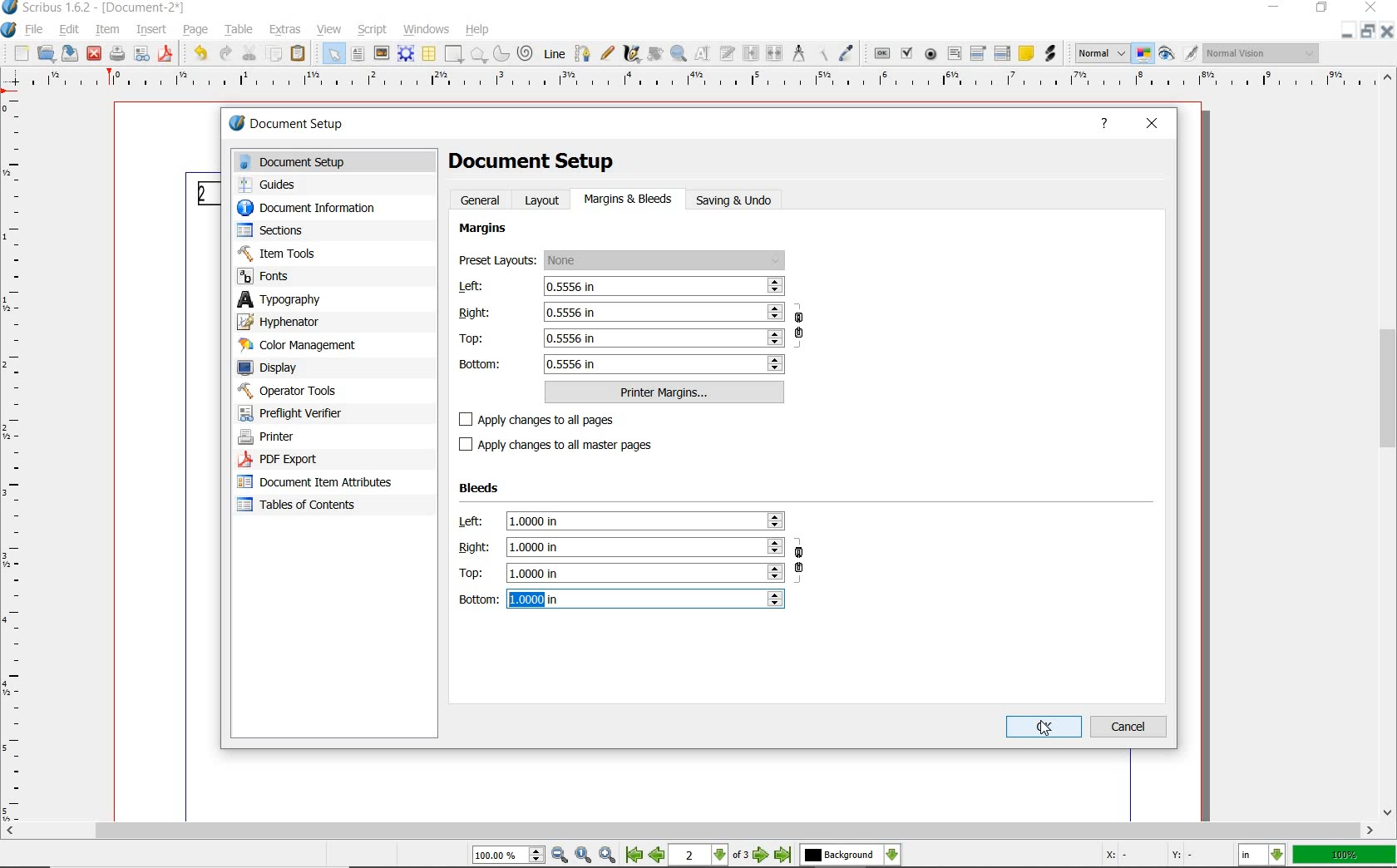  Describe the element at coordinates (428, 54) in the screenshot. I see `table` at that location.